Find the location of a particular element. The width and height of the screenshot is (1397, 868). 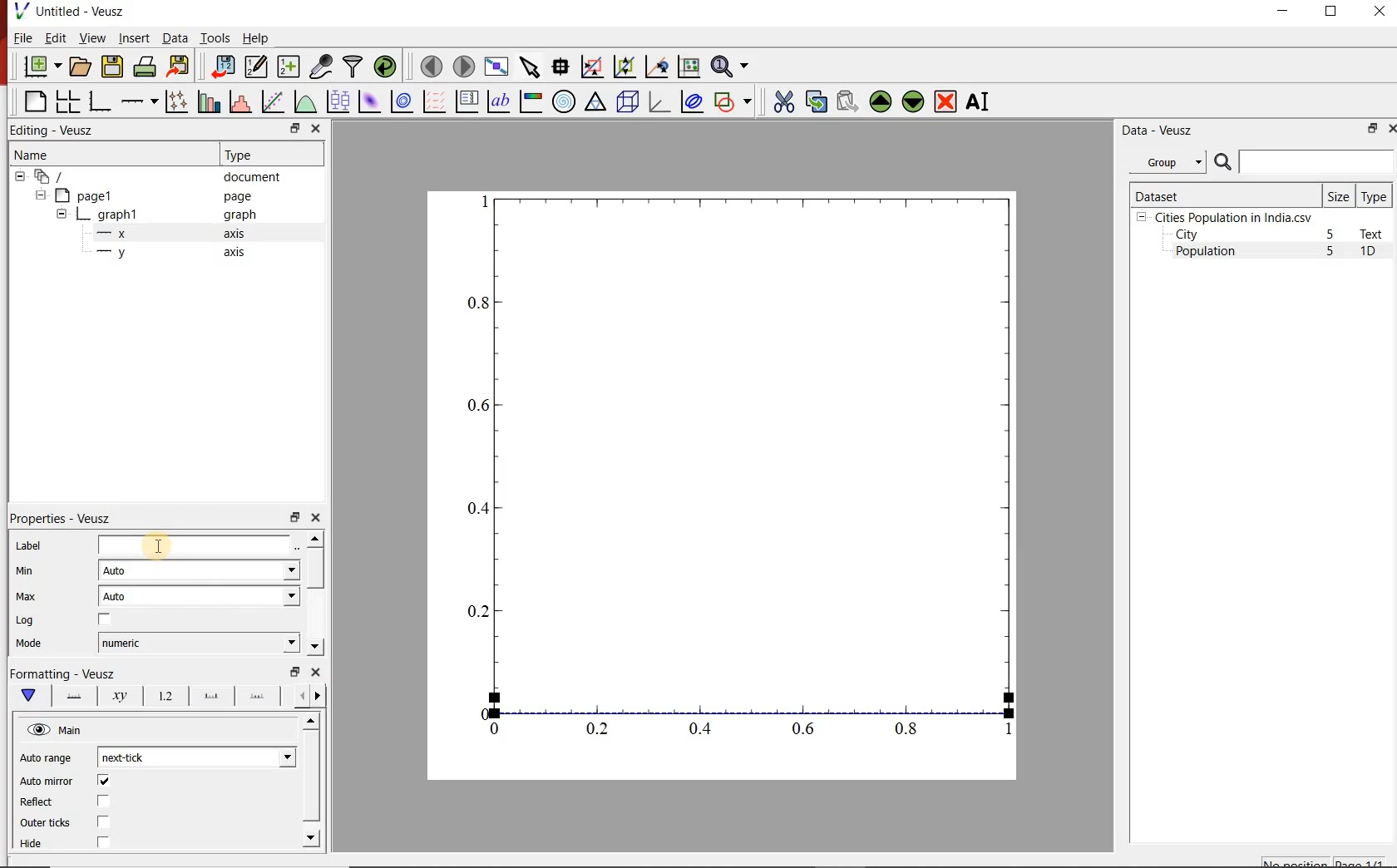

Tick labels is located at coordinates (161, 698).